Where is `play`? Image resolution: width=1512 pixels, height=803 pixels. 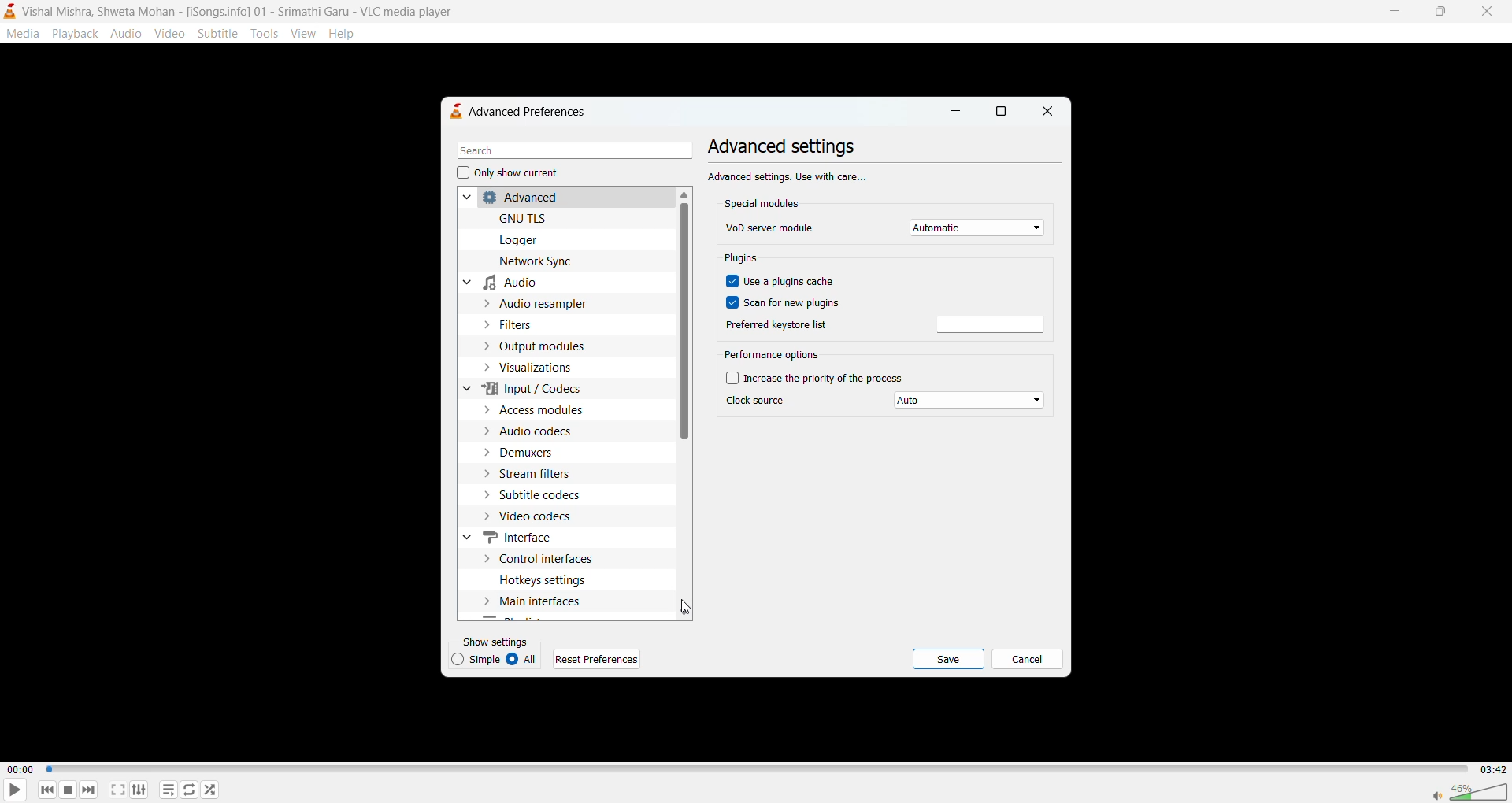 play is located at coordinates (9, 791).